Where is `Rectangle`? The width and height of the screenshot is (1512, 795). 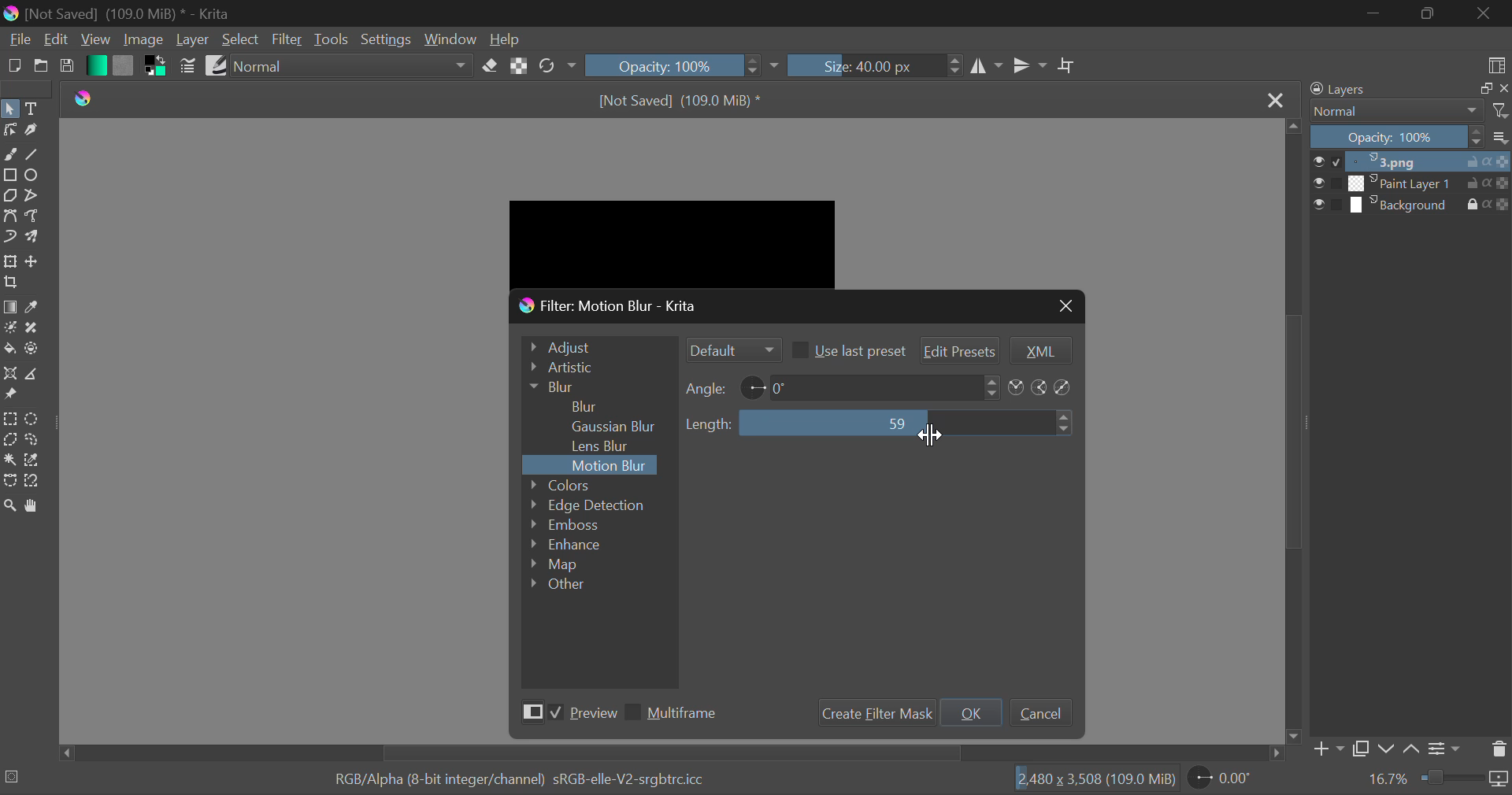
Rectangle is located at coordinates (9, 174).